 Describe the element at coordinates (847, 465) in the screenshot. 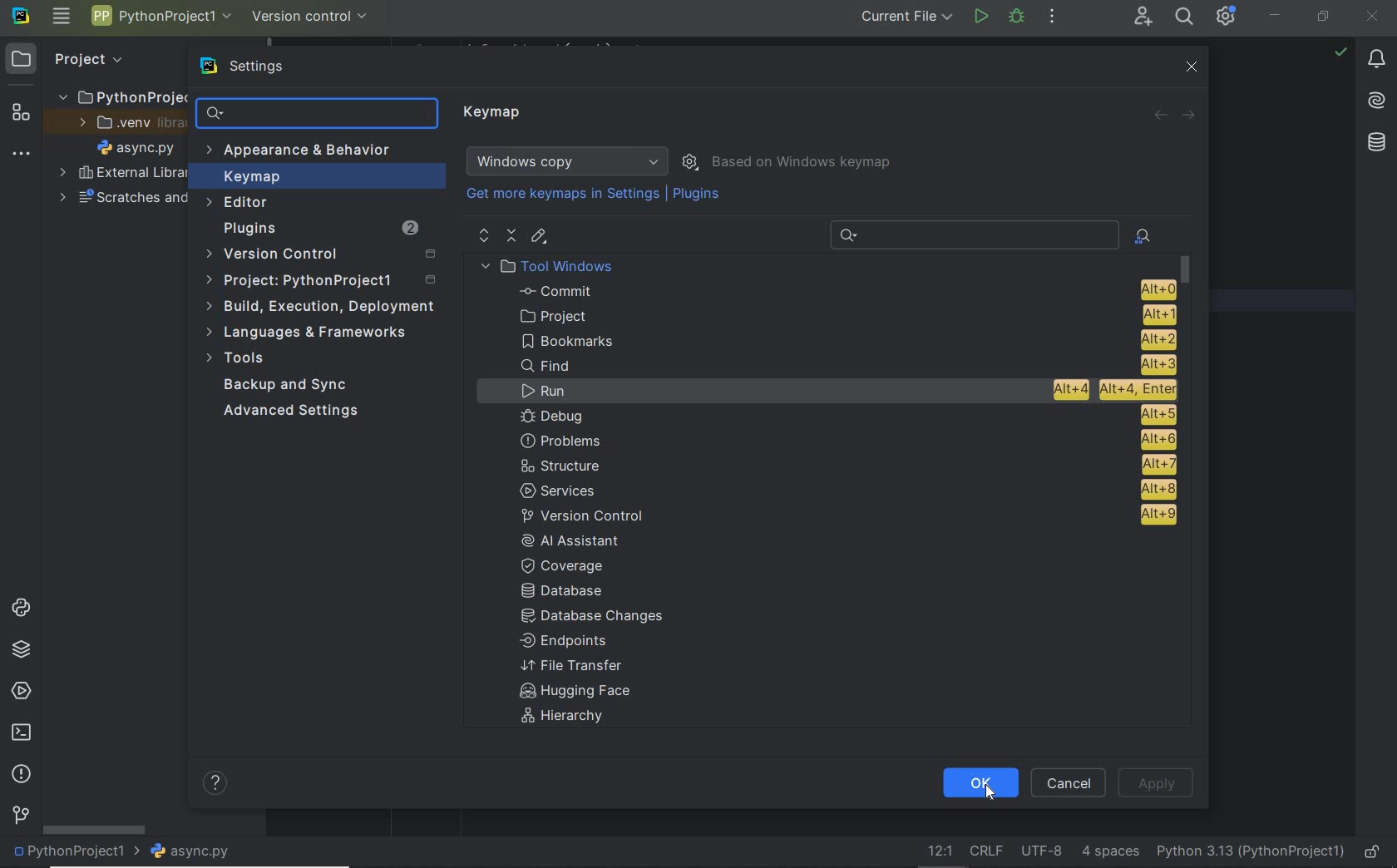

I see `structure` at that location.